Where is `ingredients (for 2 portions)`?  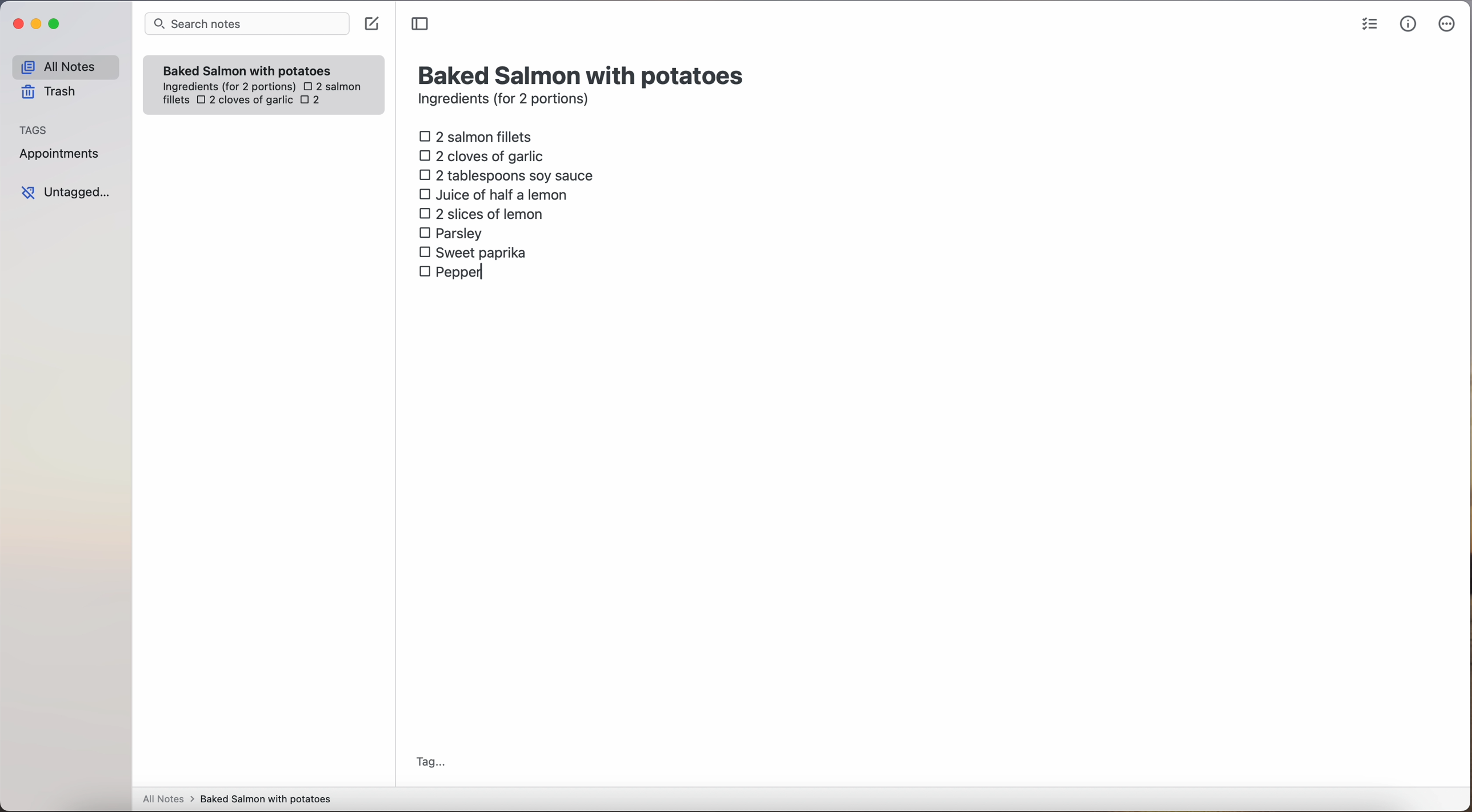
ingredients (for 2 portions) is located at coordinates (507, 101).